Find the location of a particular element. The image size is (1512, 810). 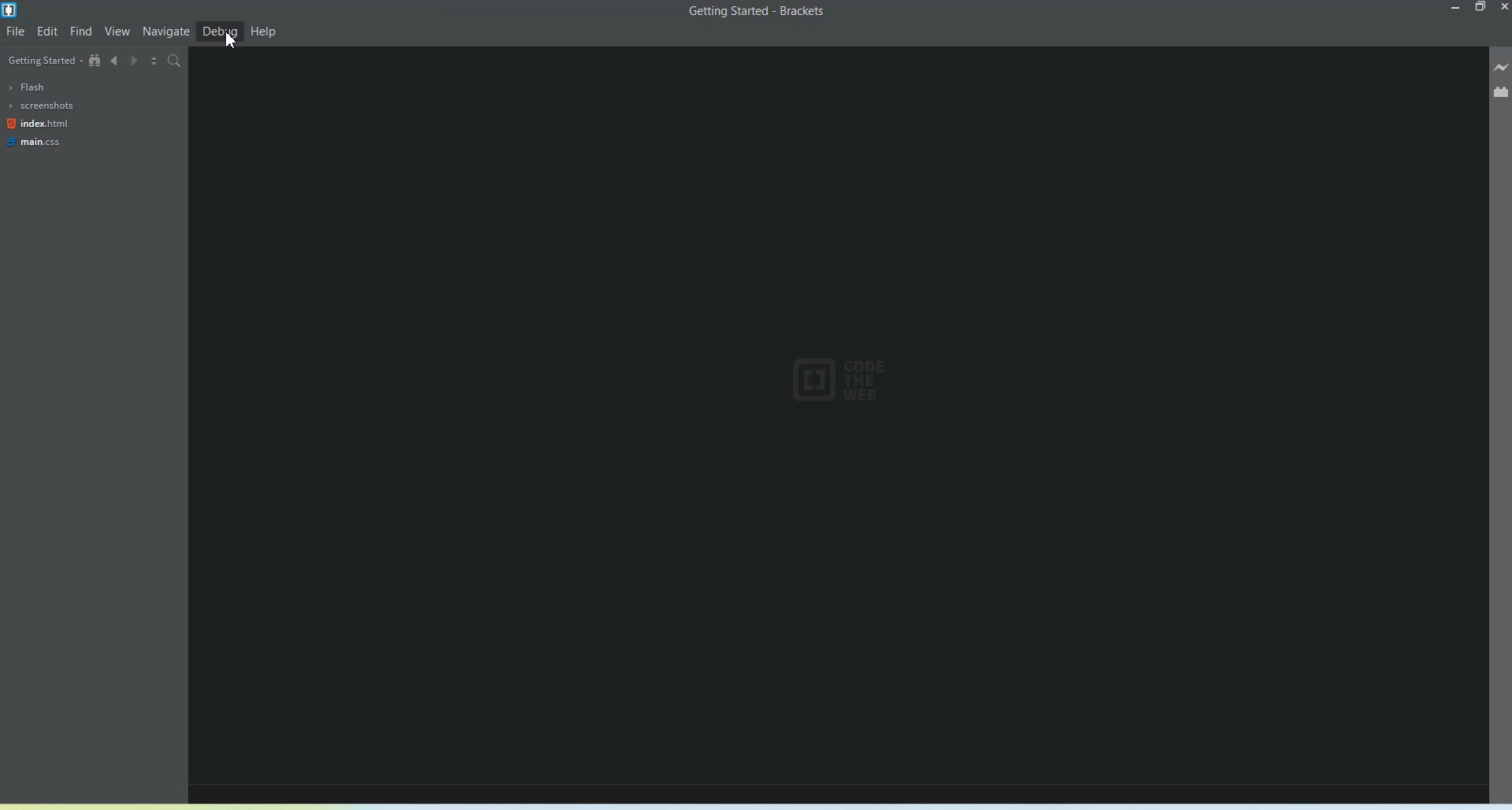

screenshots is located at coordinates (42, 106).